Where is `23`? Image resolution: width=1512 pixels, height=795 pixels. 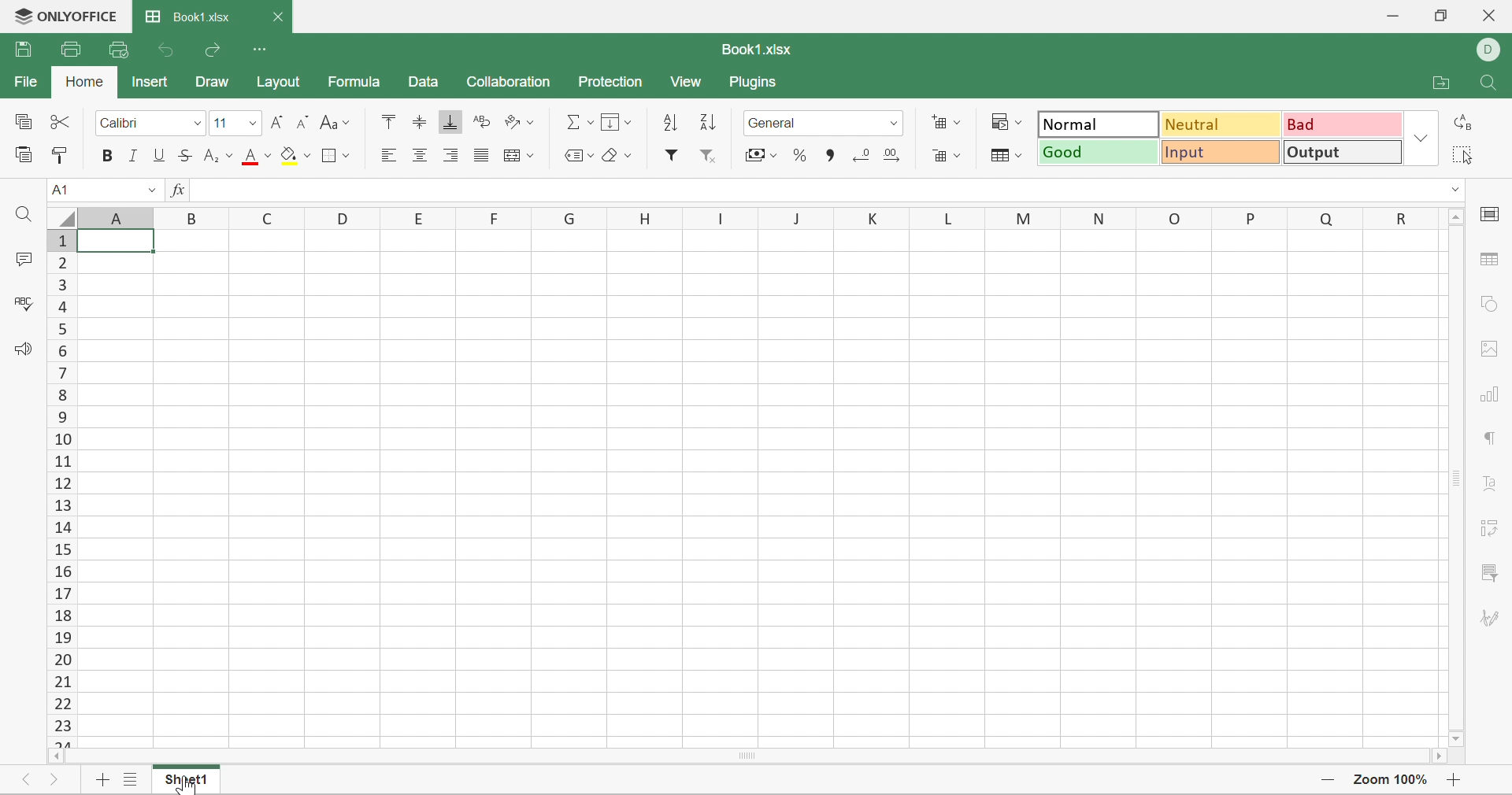 23 is located at coordinates (68, 728).